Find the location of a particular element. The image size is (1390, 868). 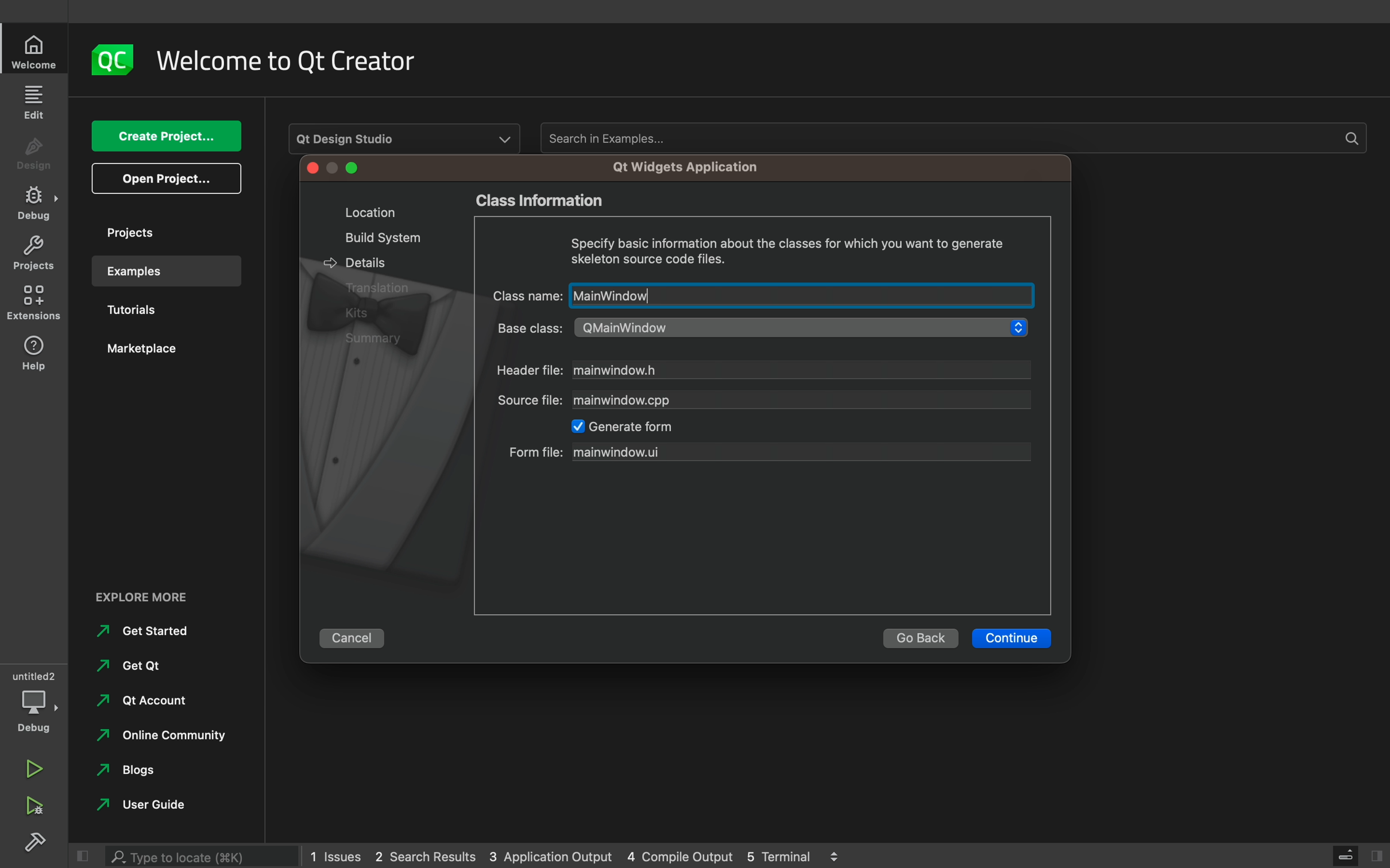

kits is located at coordinates (364, 312).